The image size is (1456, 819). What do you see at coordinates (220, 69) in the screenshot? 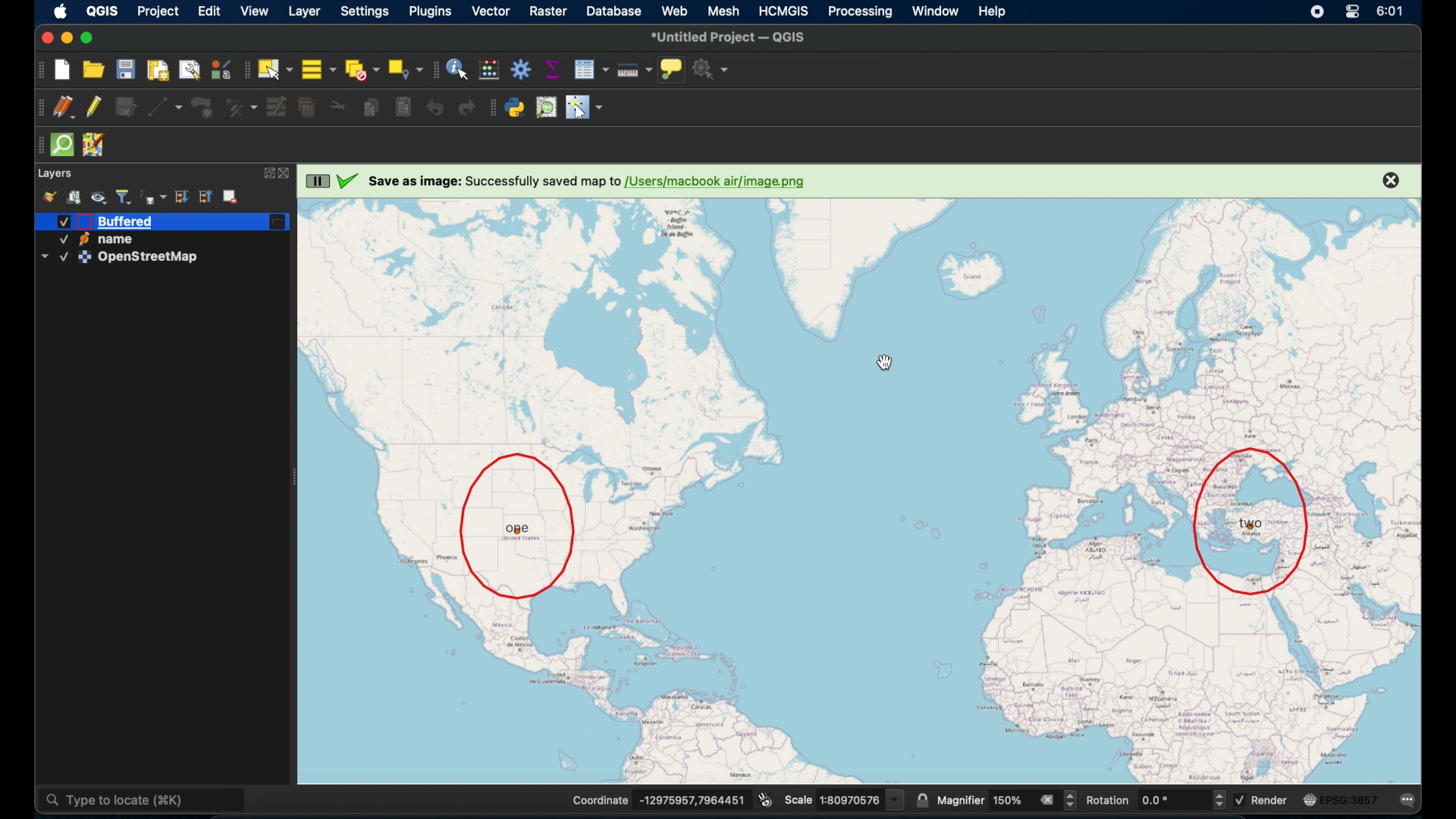
I see `style manager` at bounding box center [220, 69].